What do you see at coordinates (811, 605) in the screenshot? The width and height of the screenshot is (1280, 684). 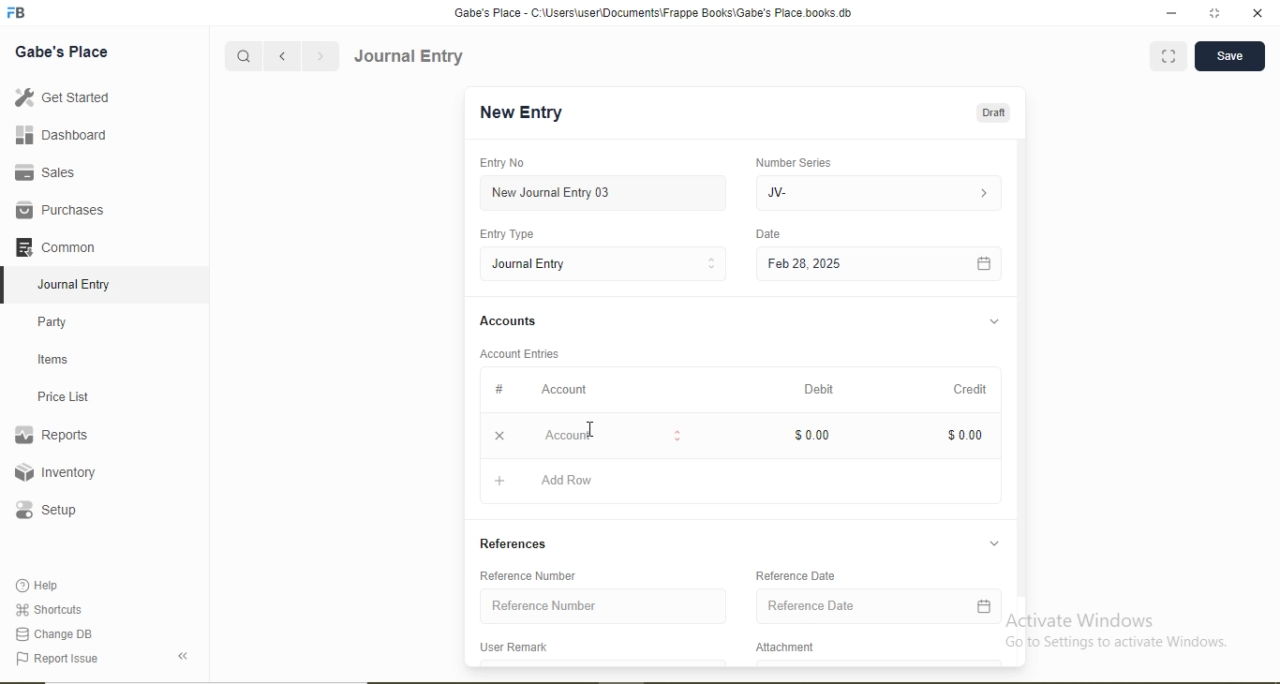 I see `Reference Date` at bounding box center [811, 605].